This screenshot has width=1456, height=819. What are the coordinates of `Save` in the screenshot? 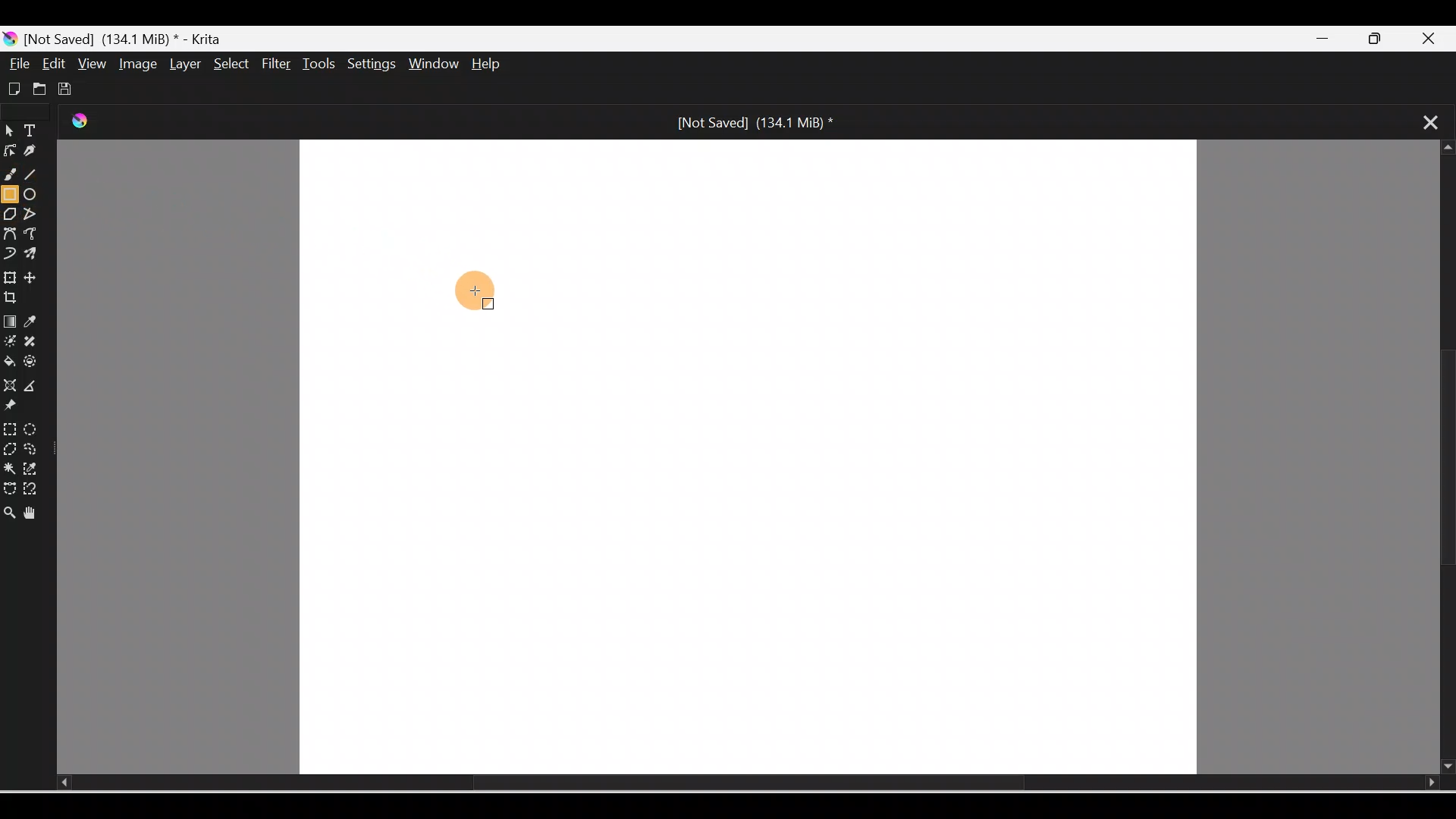 It's located at (68, 86).